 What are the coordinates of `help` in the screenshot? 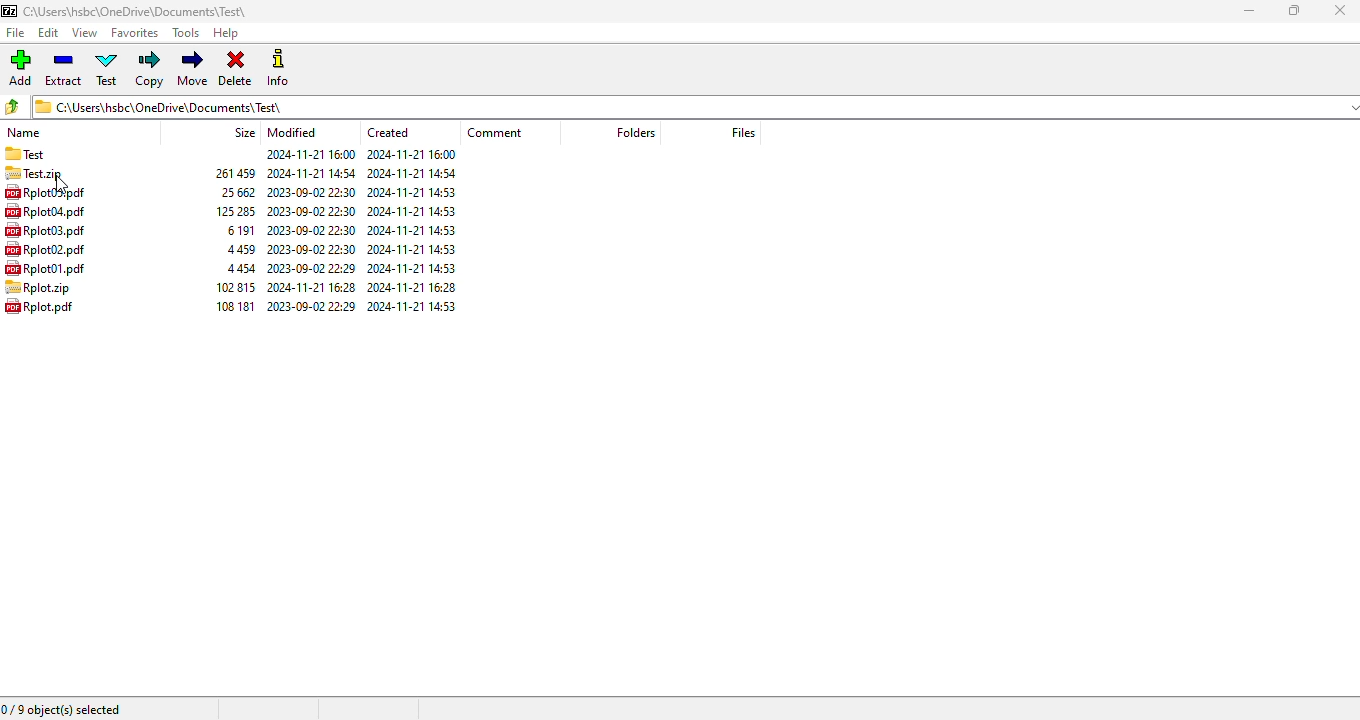 It's located at (225, 33).